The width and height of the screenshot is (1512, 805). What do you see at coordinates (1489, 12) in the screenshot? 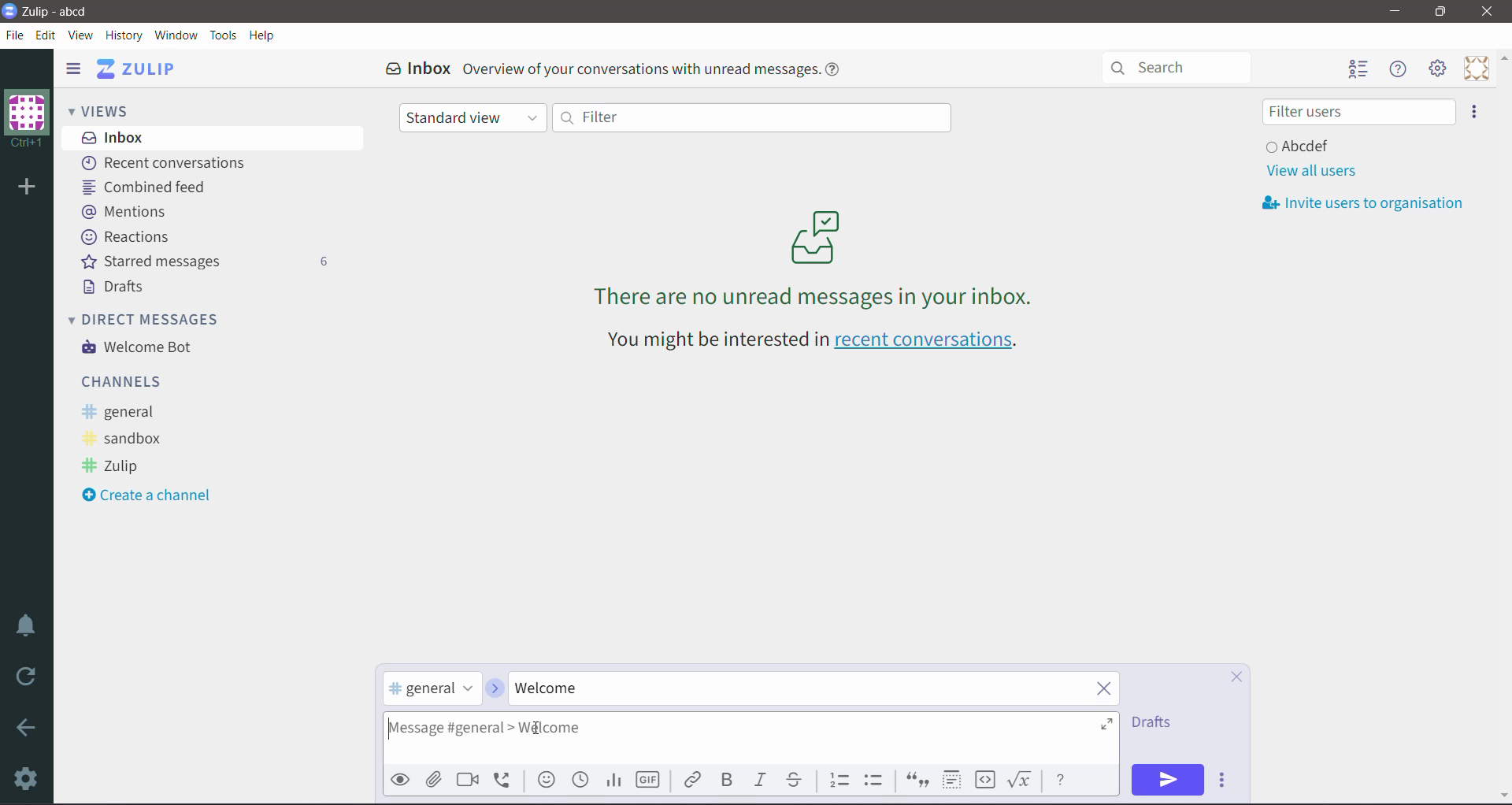
I see `Close` at bounding box center [1489, 12].